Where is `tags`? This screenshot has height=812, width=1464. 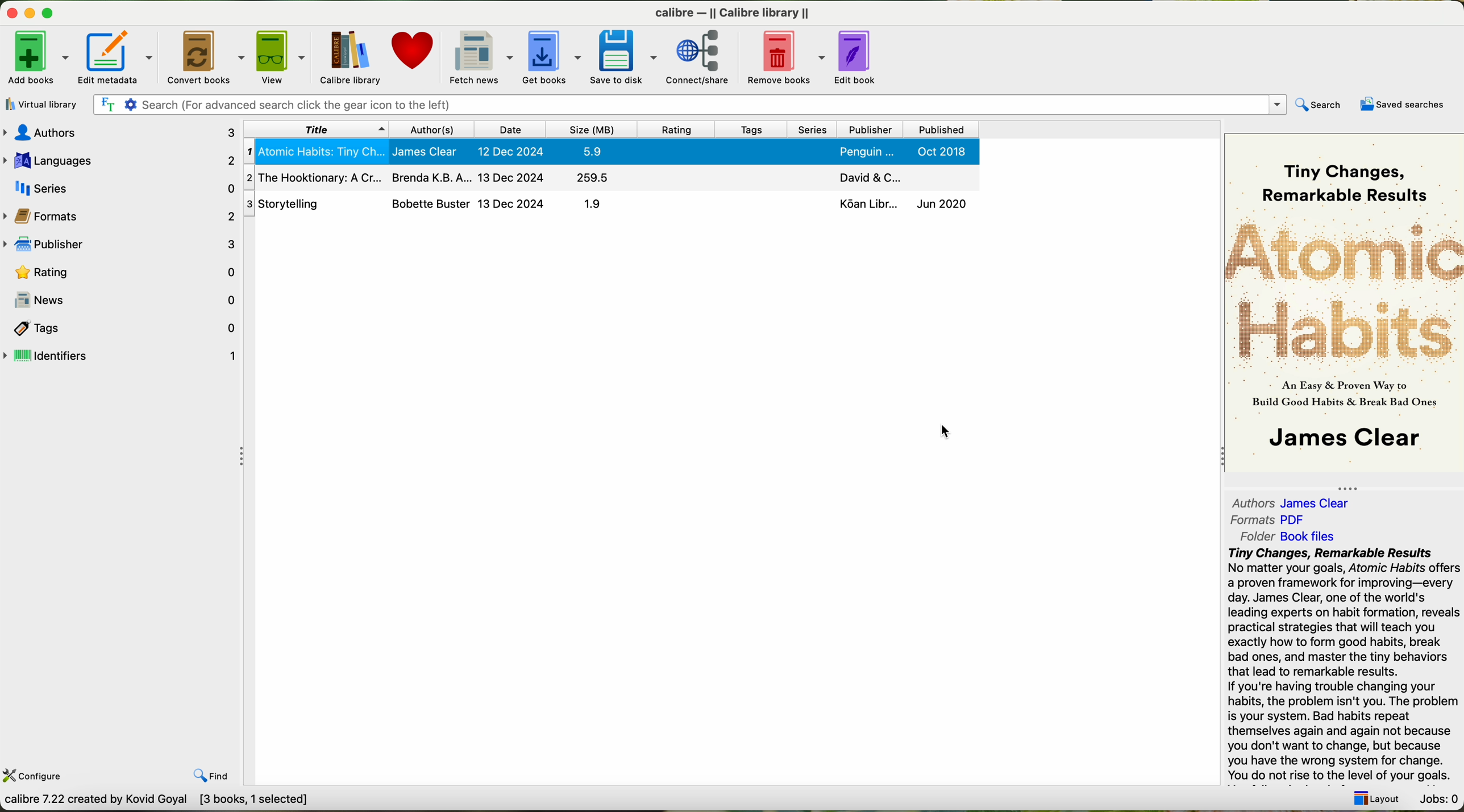 tags is located at coordinates (756, 130).